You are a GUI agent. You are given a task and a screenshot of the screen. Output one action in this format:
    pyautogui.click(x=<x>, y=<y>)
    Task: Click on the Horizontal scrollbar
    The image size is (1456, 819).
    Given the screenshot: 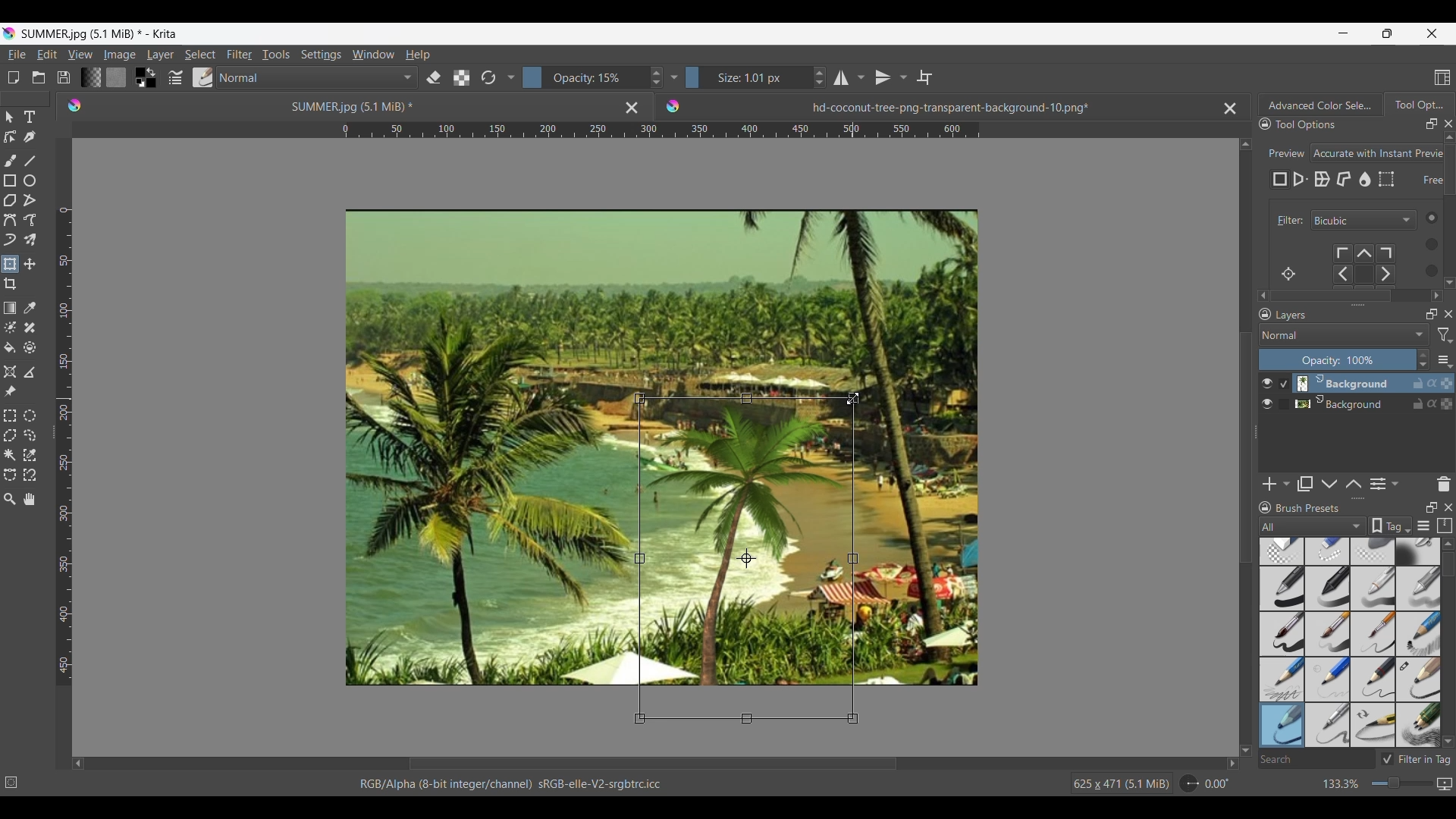 What is the action you would take?
    pyautogui.click(x=1351, y=296)
    